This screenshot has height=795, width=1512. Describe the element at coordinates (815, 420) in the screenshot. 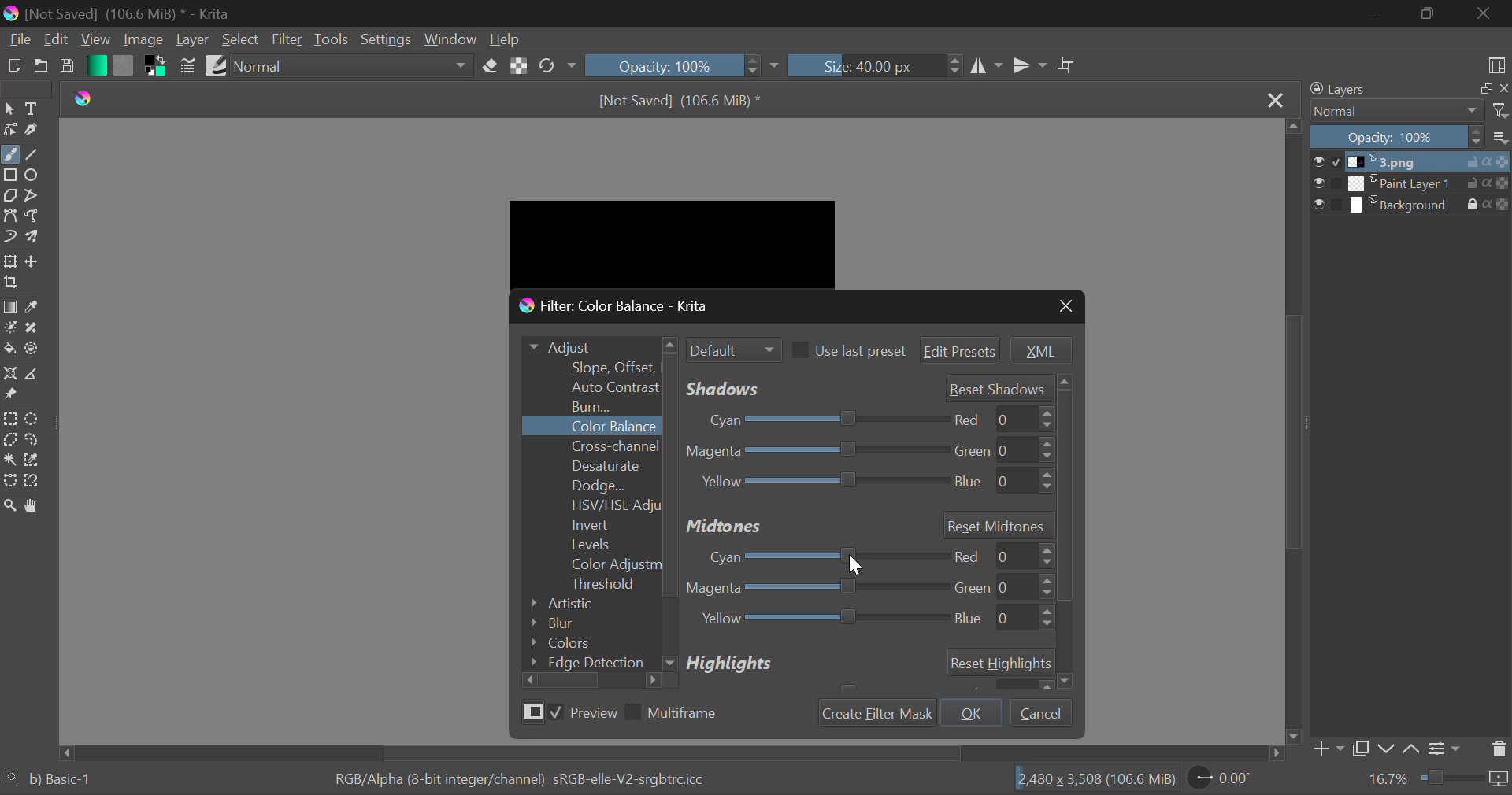

I see `Cyan-Red Slider` at that location.